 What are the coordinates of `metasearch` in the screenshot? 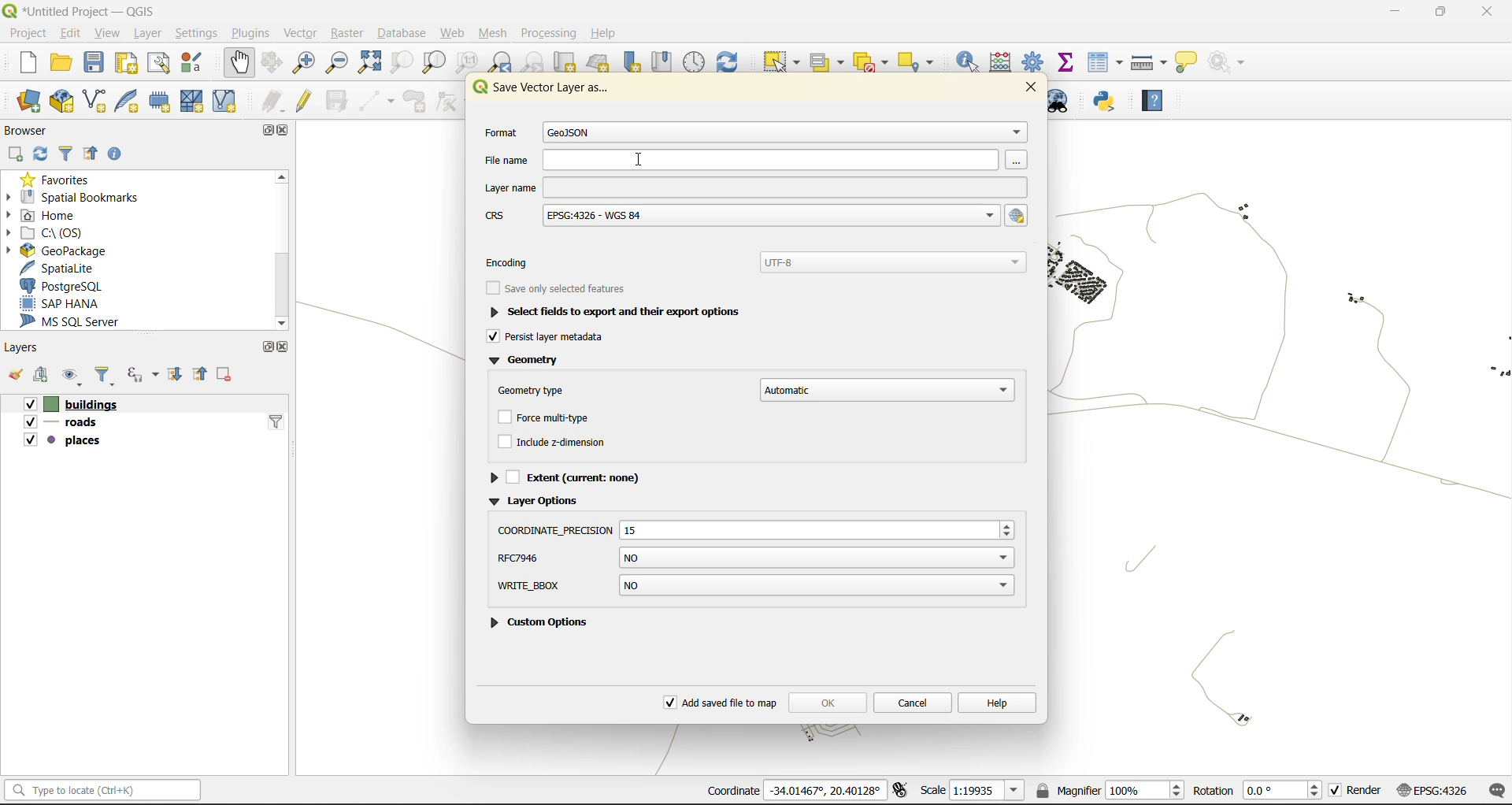 It's located at (1064, 102).